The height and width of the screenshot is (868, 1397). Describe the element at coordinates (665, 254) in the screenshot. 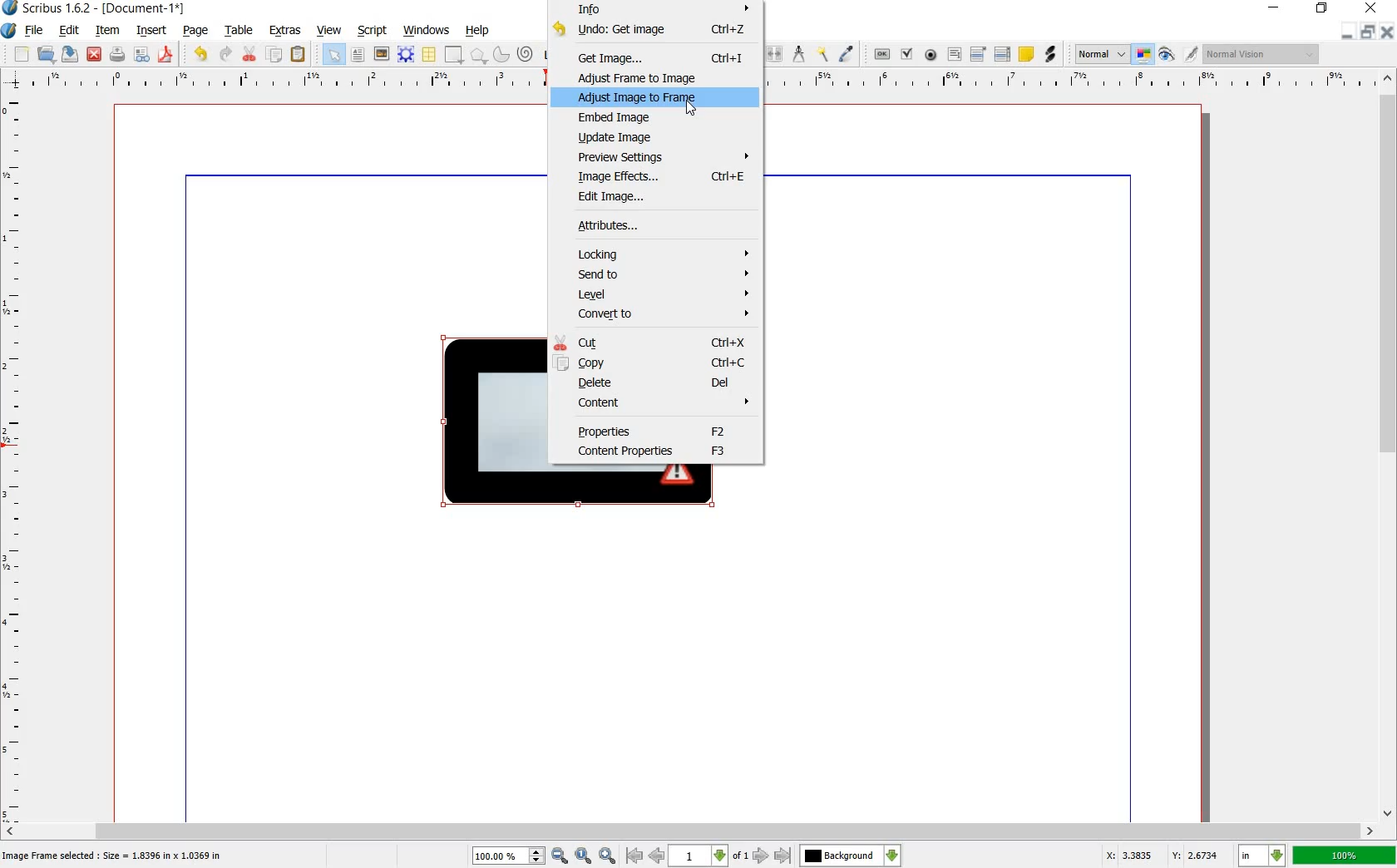

I see `locking` at that location.